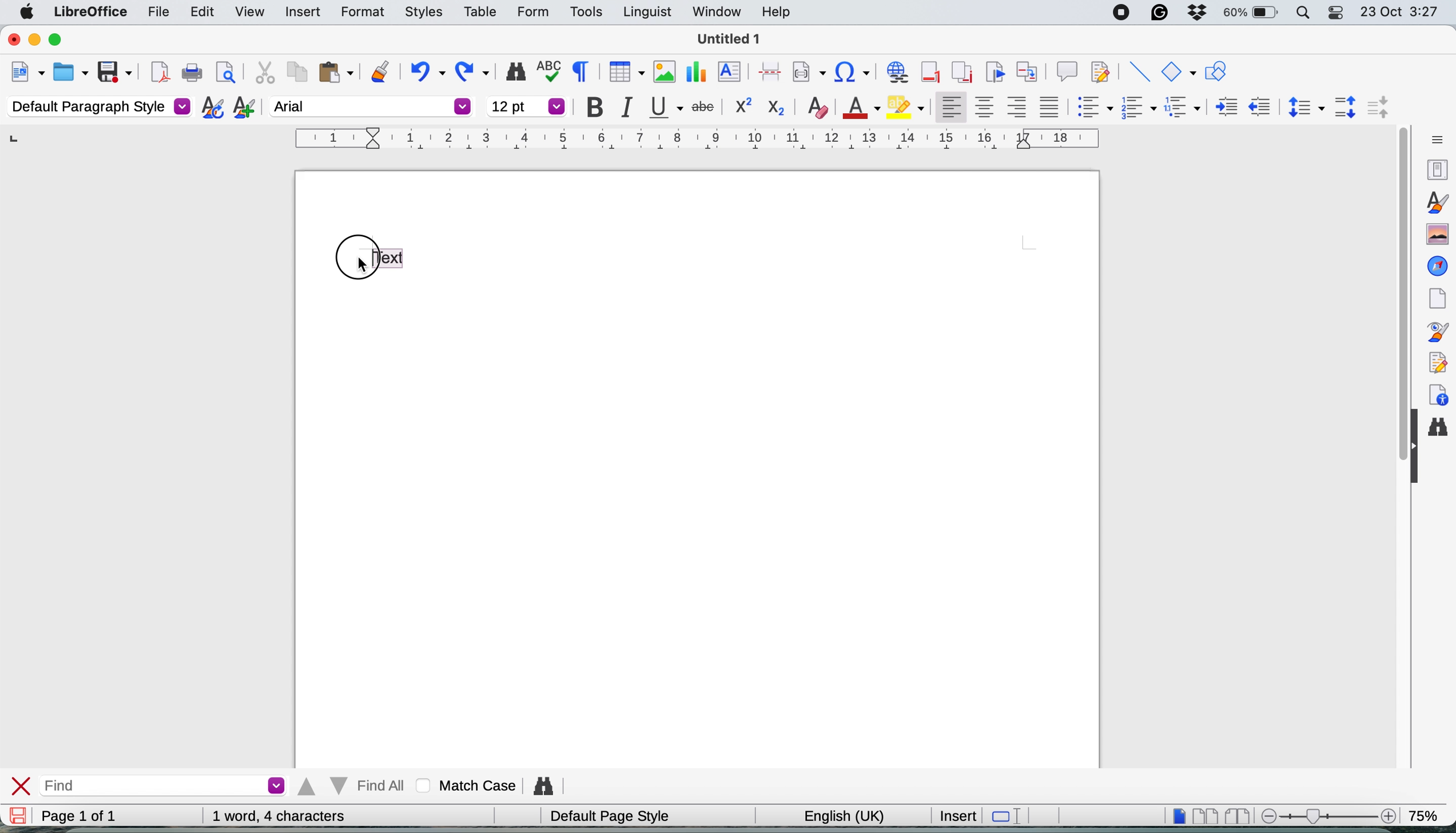  What do you see at coordinates (1438, 266) in the screenshot?
I see `navigator` at bounding box center [1438, 266].